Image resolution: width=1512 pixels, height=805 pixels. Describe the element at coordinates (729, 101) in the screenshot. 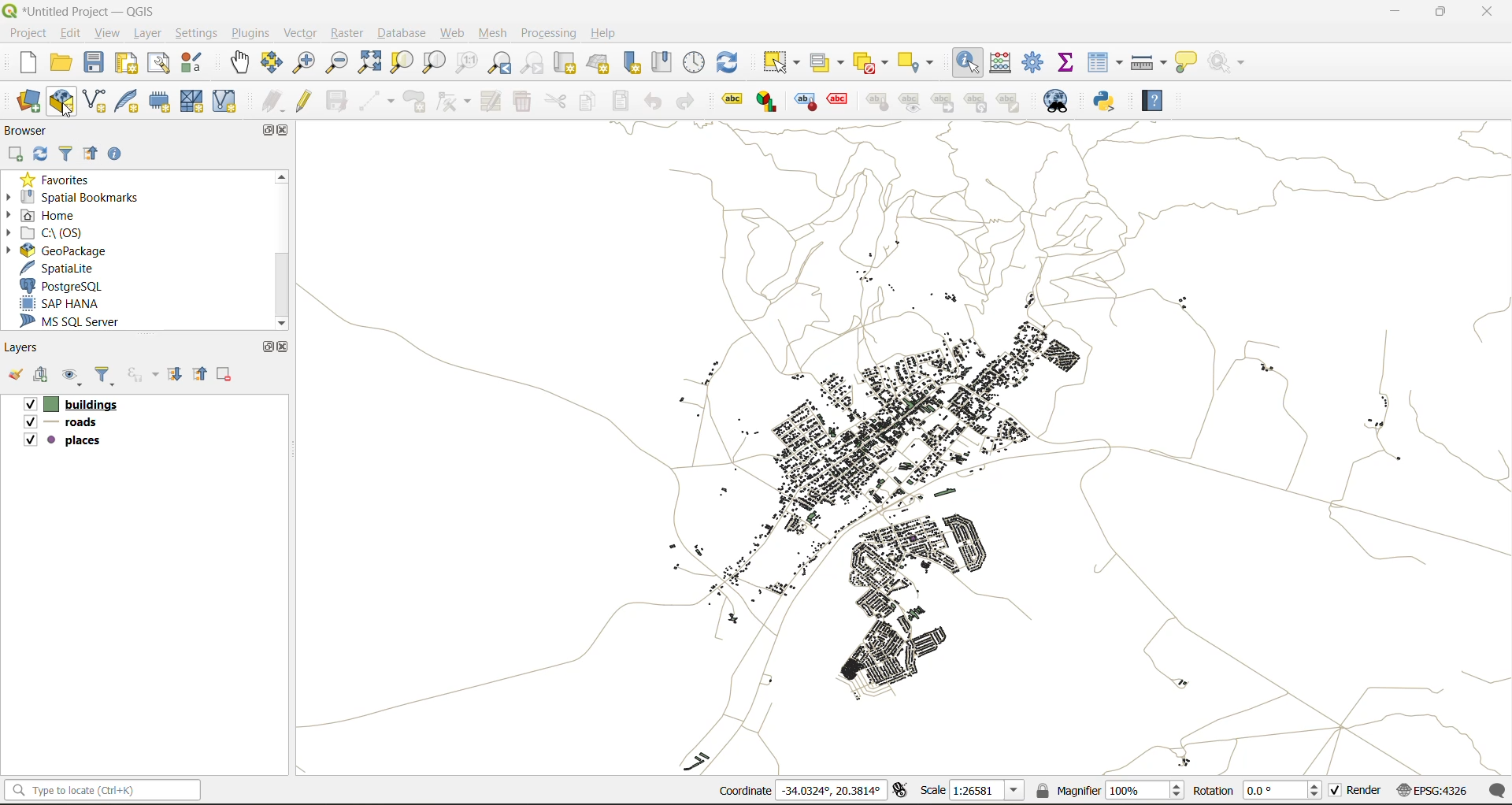

I see `label` at that location.